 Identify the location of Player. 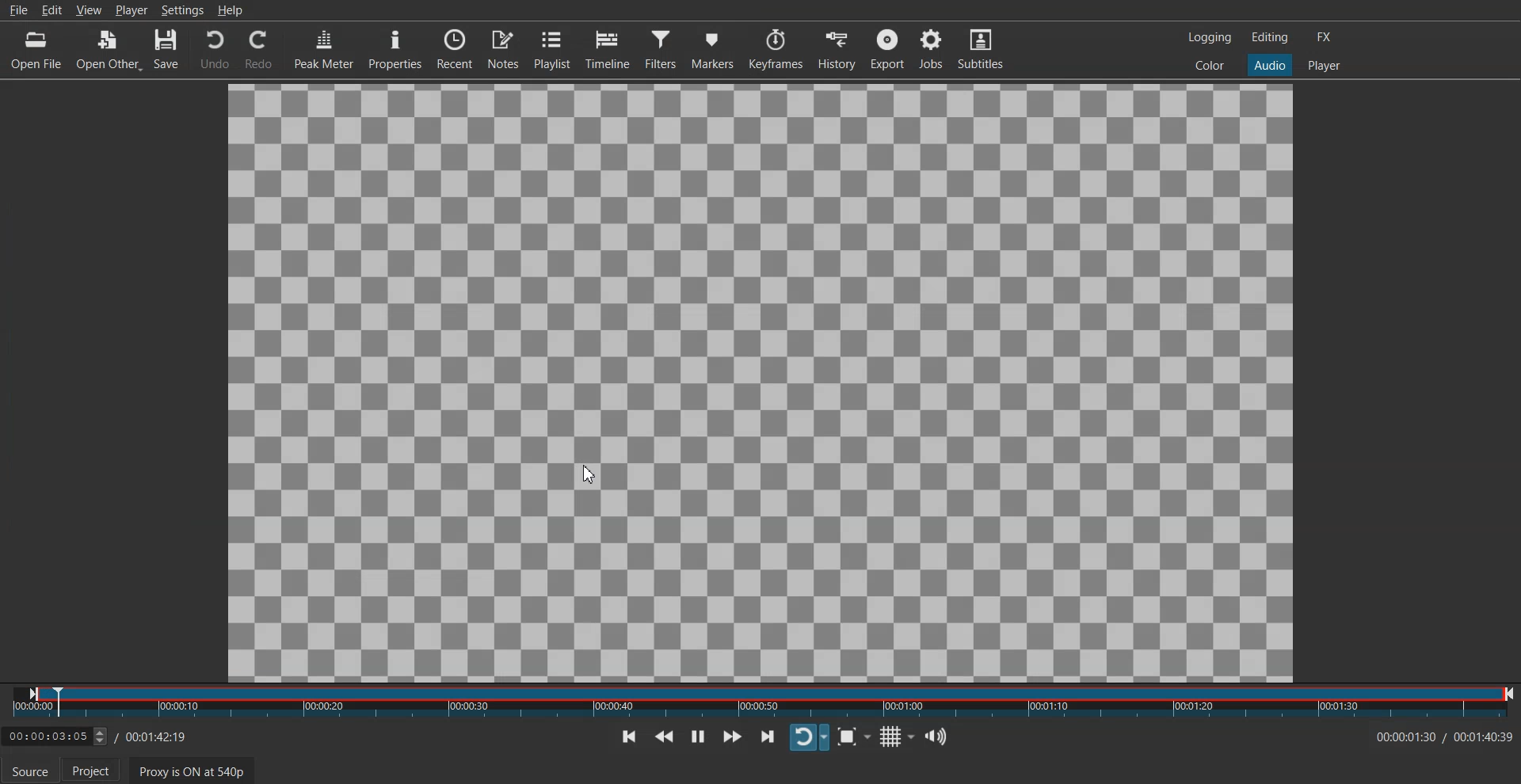
(1324, 64).